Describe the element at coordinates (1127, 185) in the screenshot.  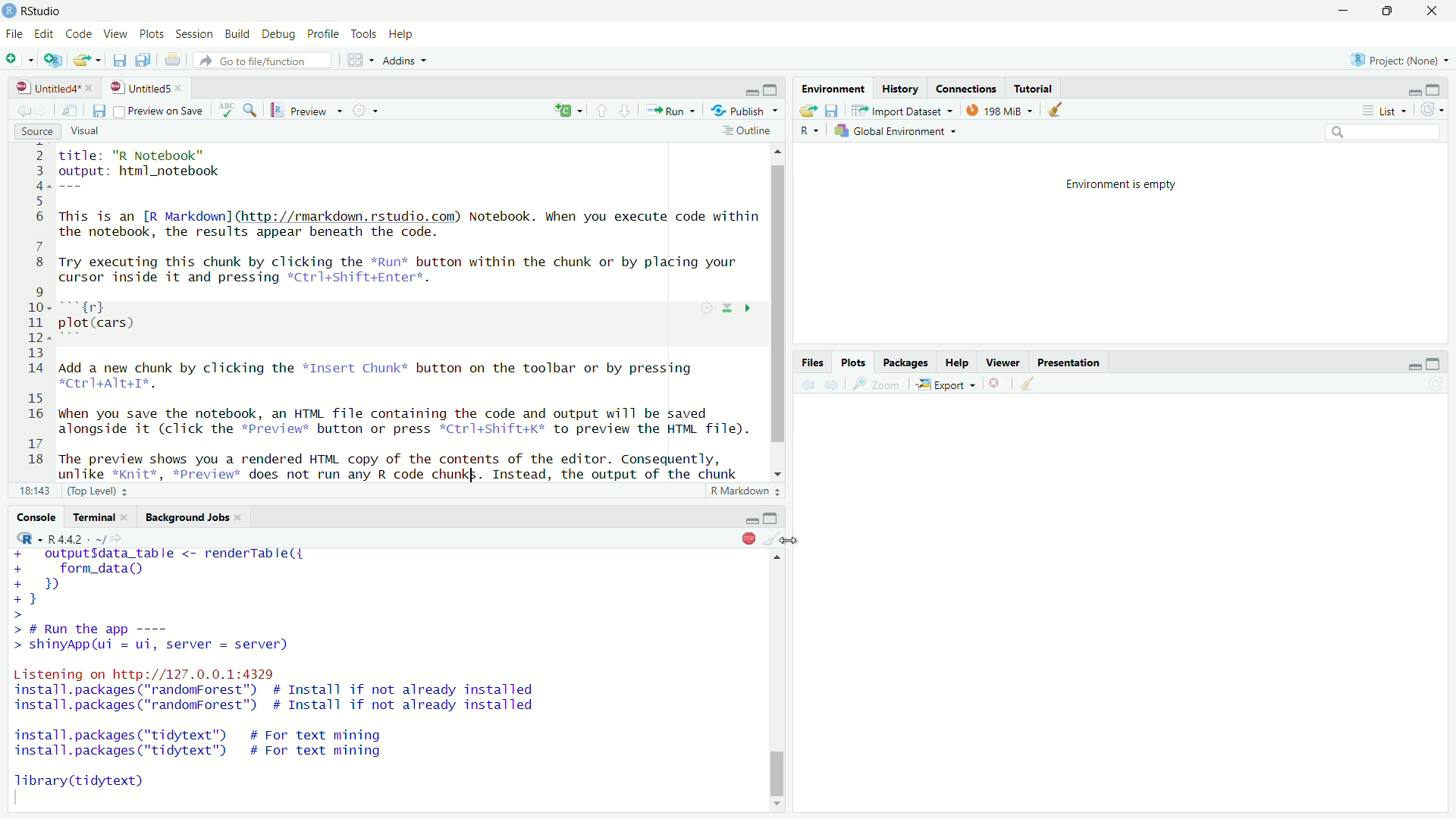
I see `Environment is empty` at that location.